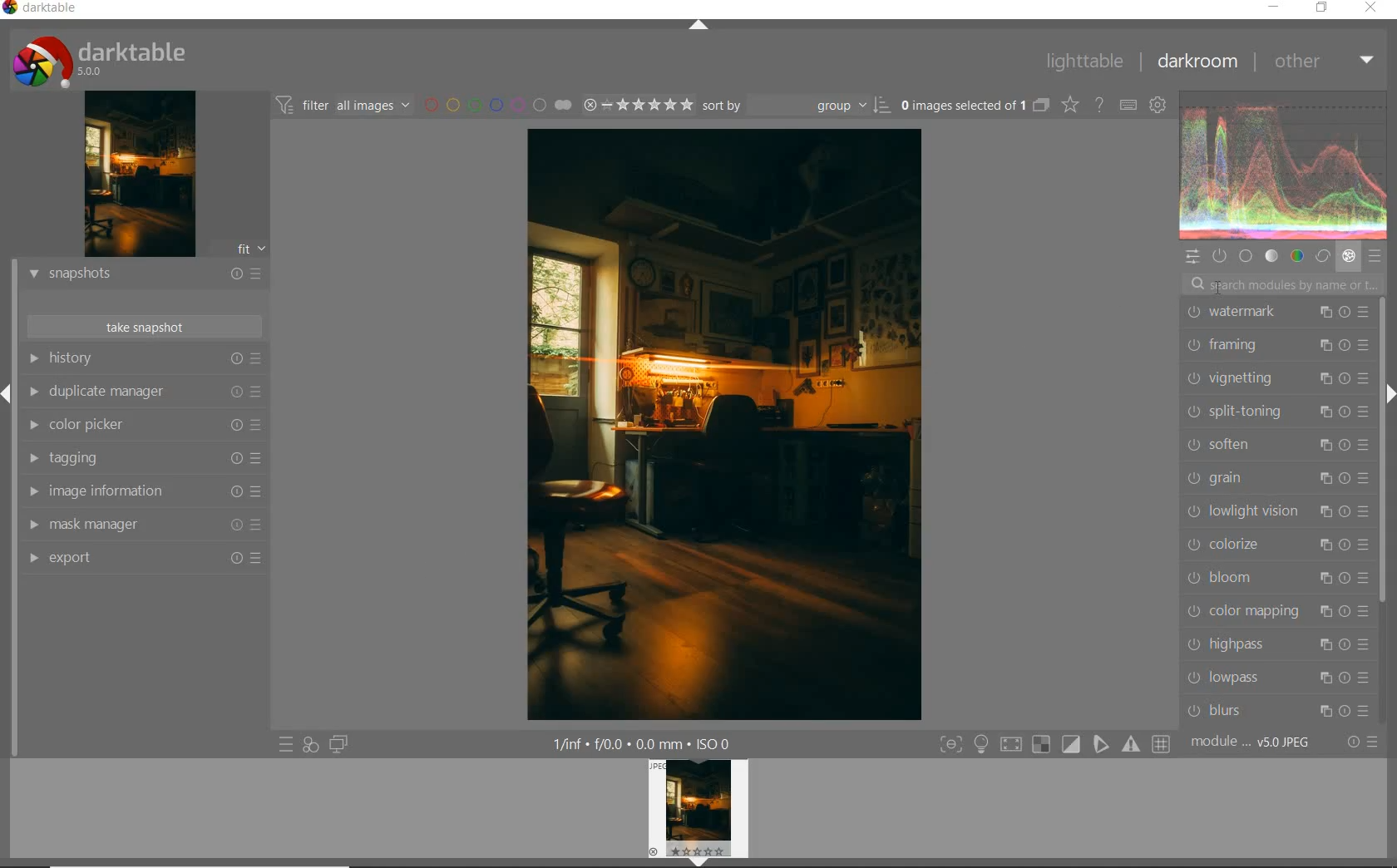 This screenshot has width=1397, height=868. What do you see at coordinates (1285, 284) in the screenshot?
I see `search modules by name` at bounding box center [1285, 284].